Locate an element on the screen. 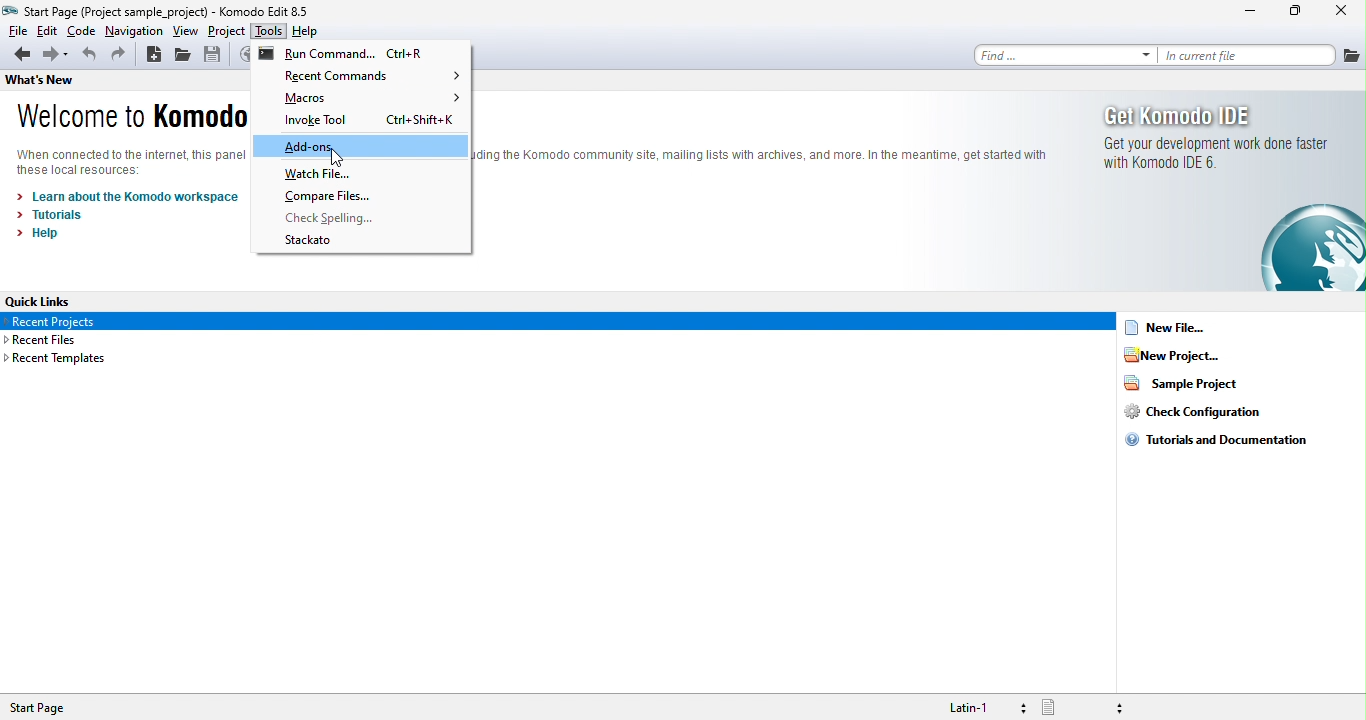  code is located at coordinates (81, 31).